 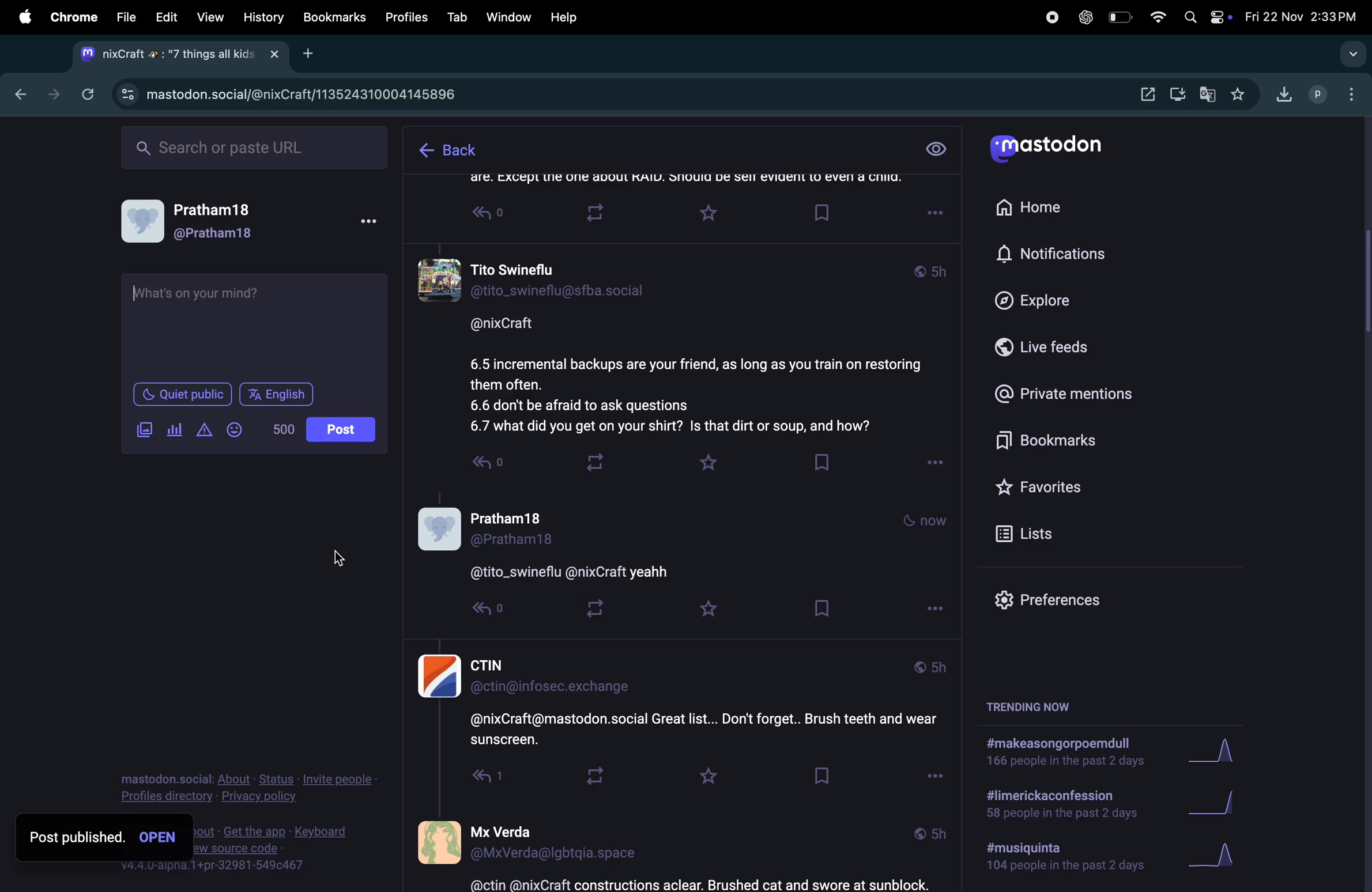 I want to click on Loop, so click(x=608, y=214).